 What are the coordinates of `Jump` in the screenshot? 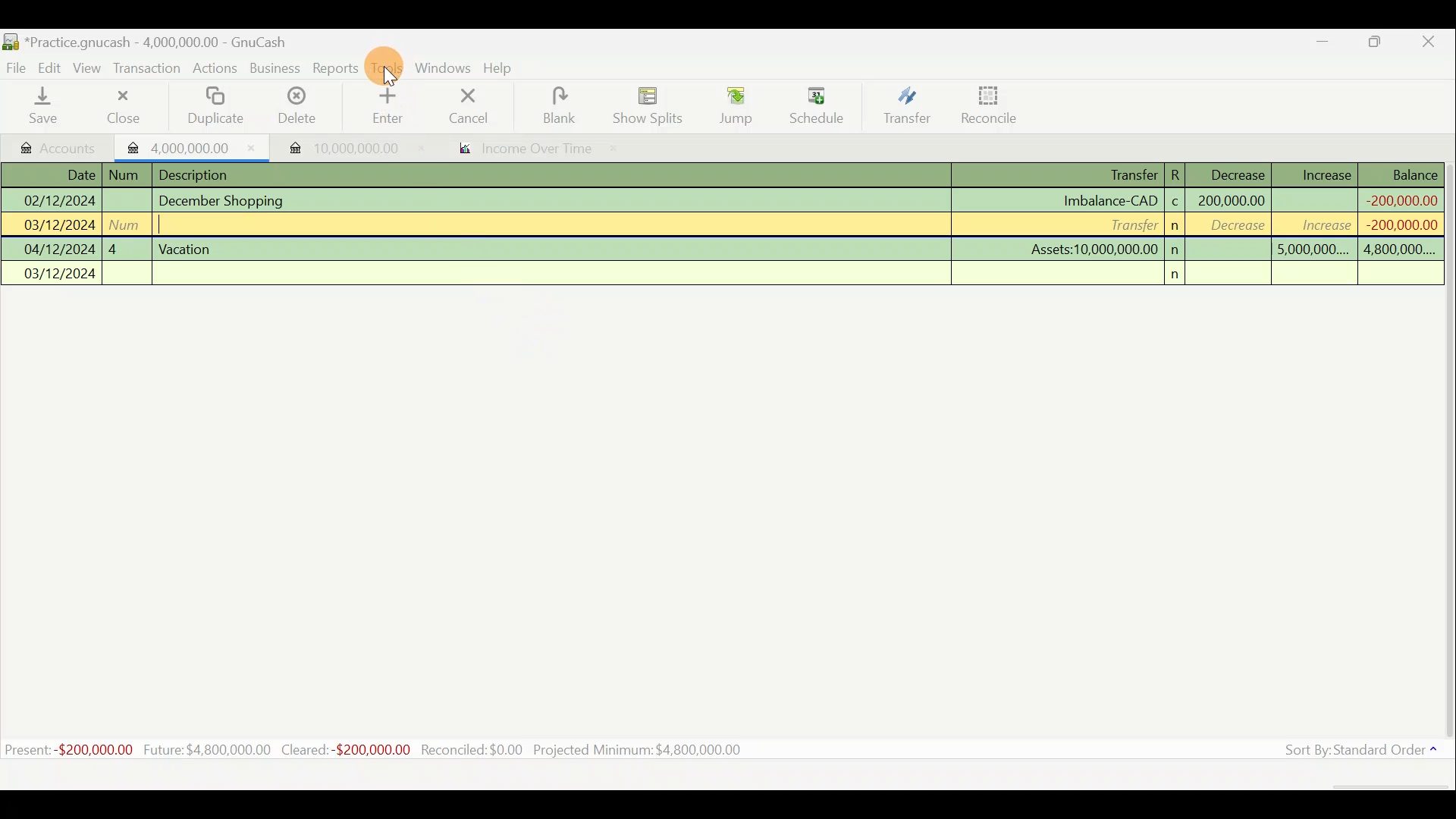 It's located at (730, 106).